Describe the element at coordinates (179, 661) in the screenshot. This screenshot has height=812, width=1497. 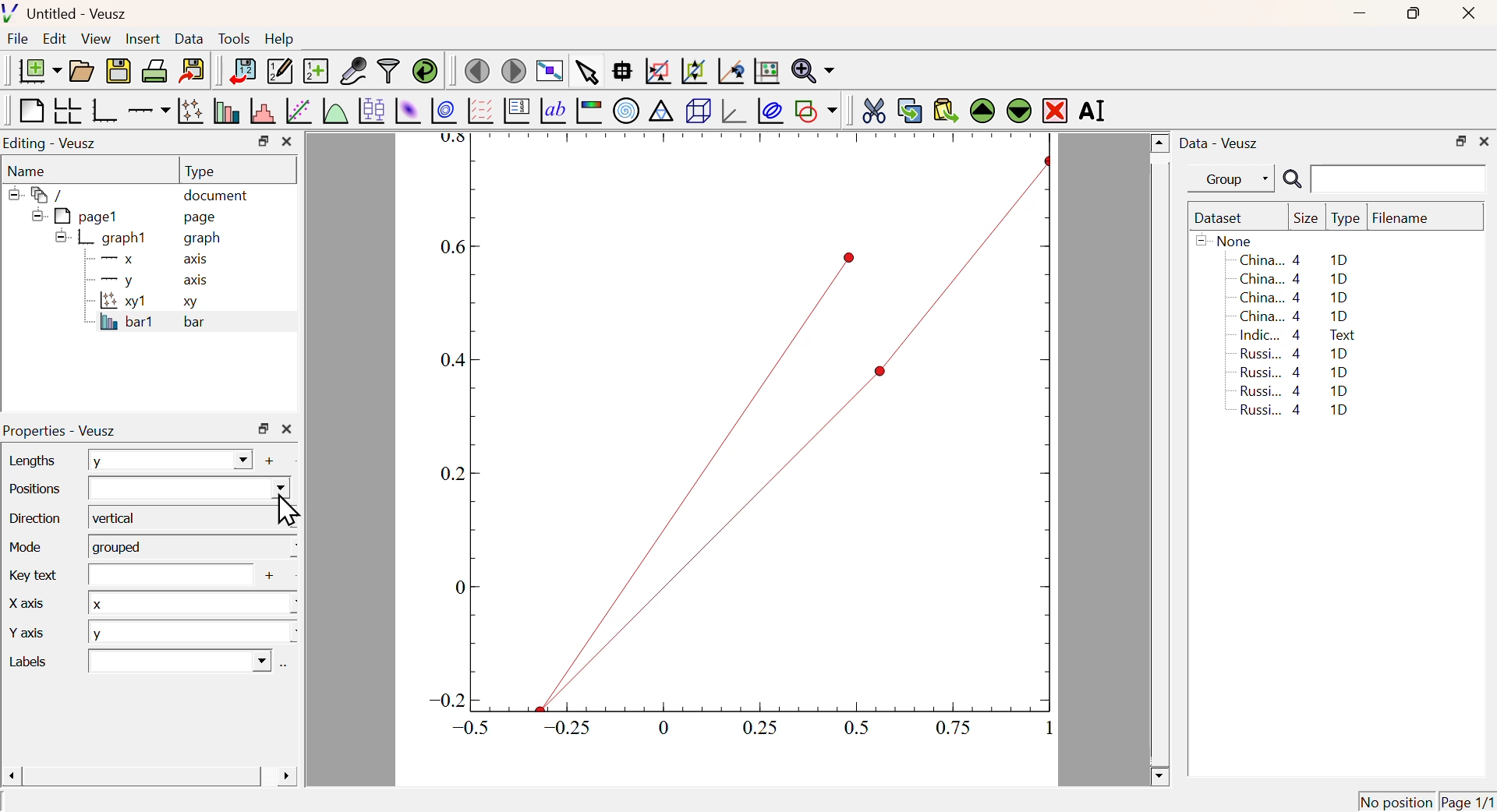
I see `Dropdown` at that location.